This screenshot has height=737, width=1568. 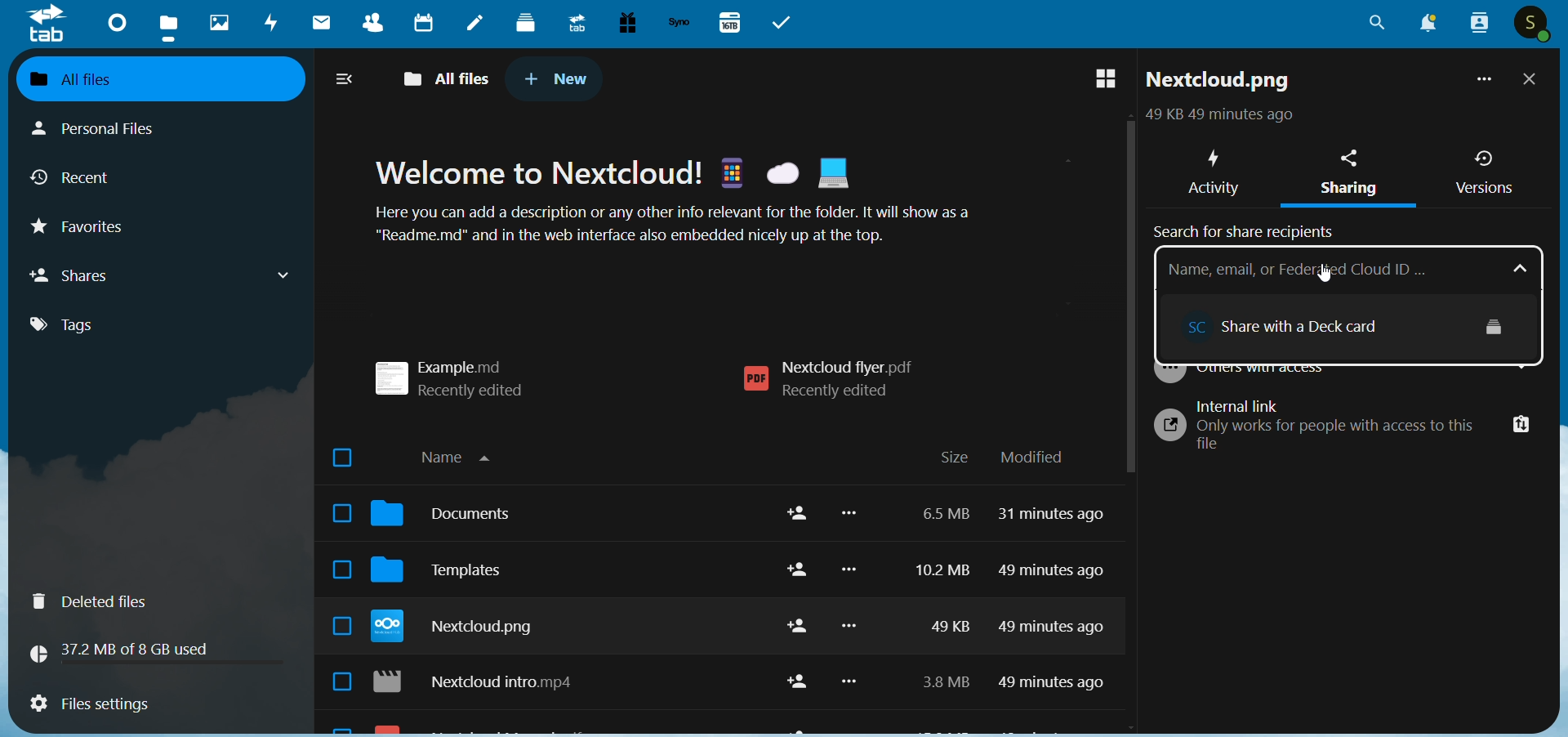 What do you see at coordinates (77, 325) in the screenshot?
I see `tags` at bounding box center [77, 325].